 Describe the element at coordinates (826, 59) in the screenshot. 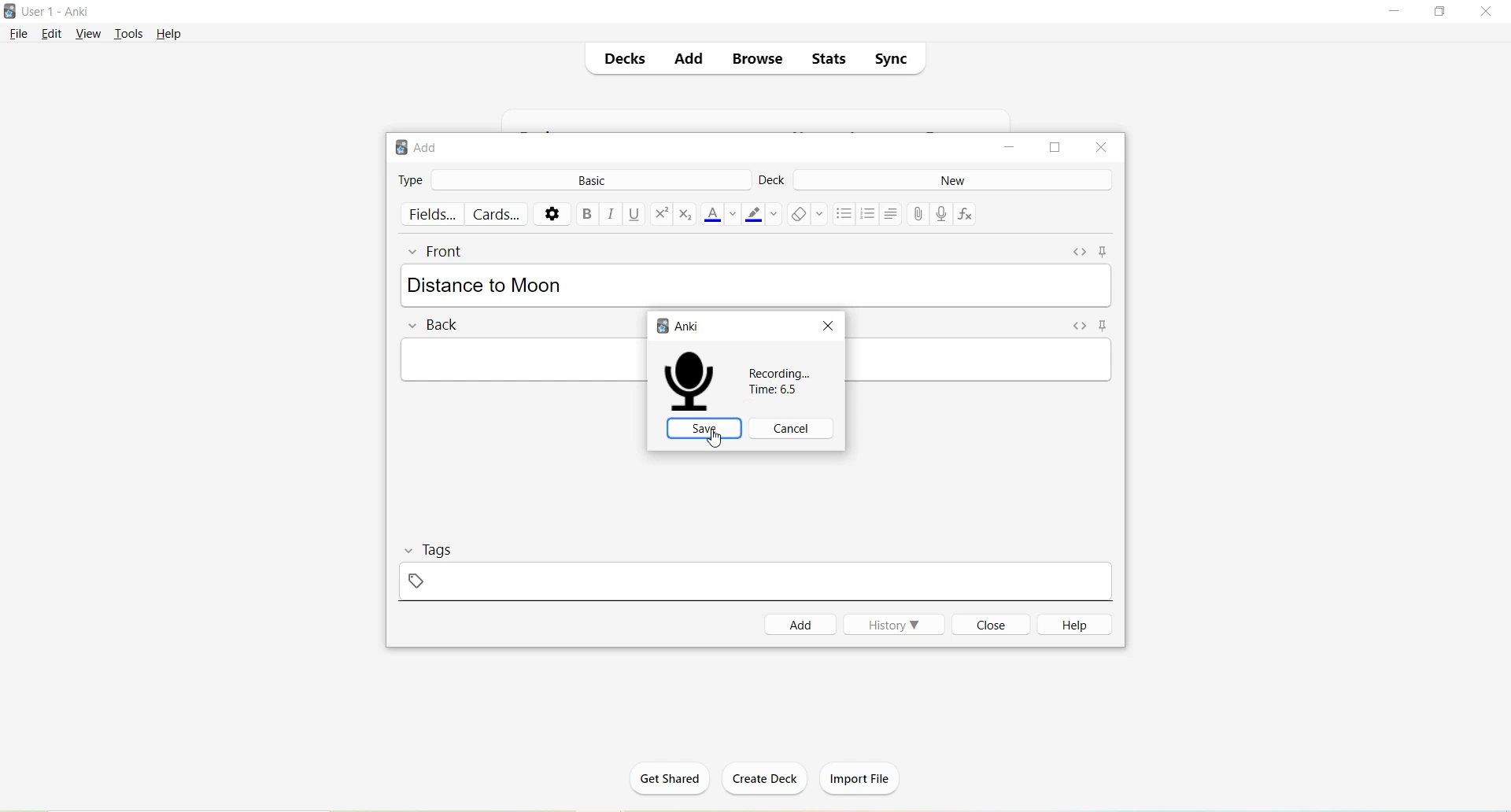

I see `Stats` at that location.